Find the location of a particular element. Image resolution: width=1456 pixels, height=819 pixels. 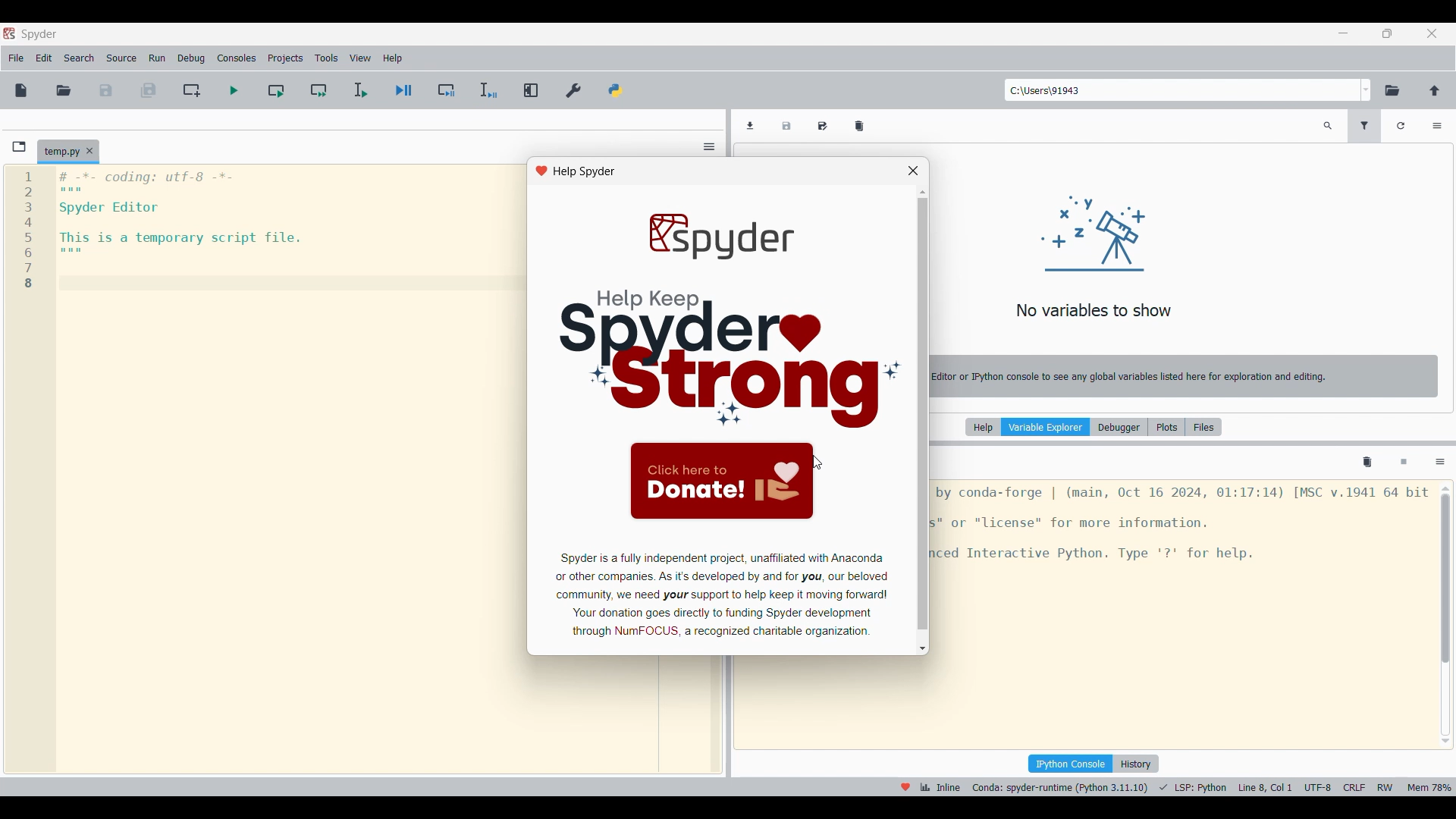

Options is located at coordinates (709, 146).